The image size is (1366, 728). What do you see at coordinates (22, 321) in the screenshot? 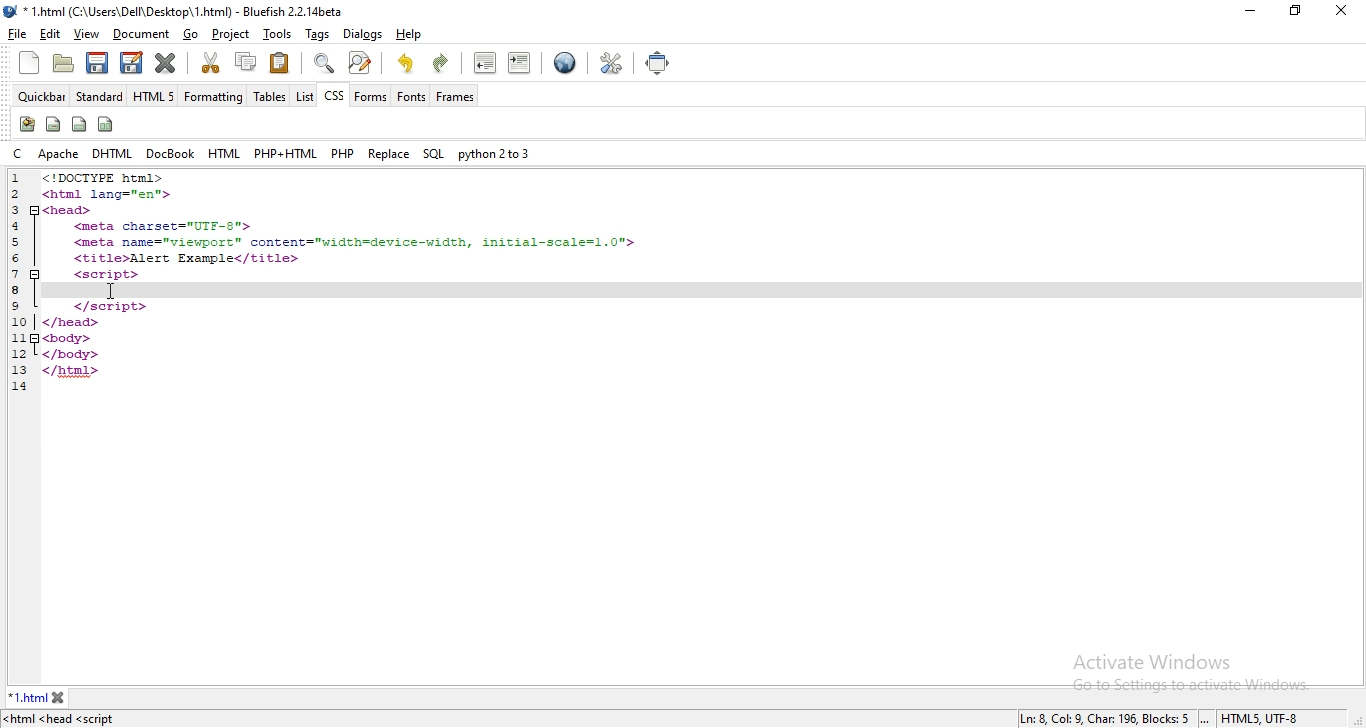
I see `10` at bounding box center [22, 321].